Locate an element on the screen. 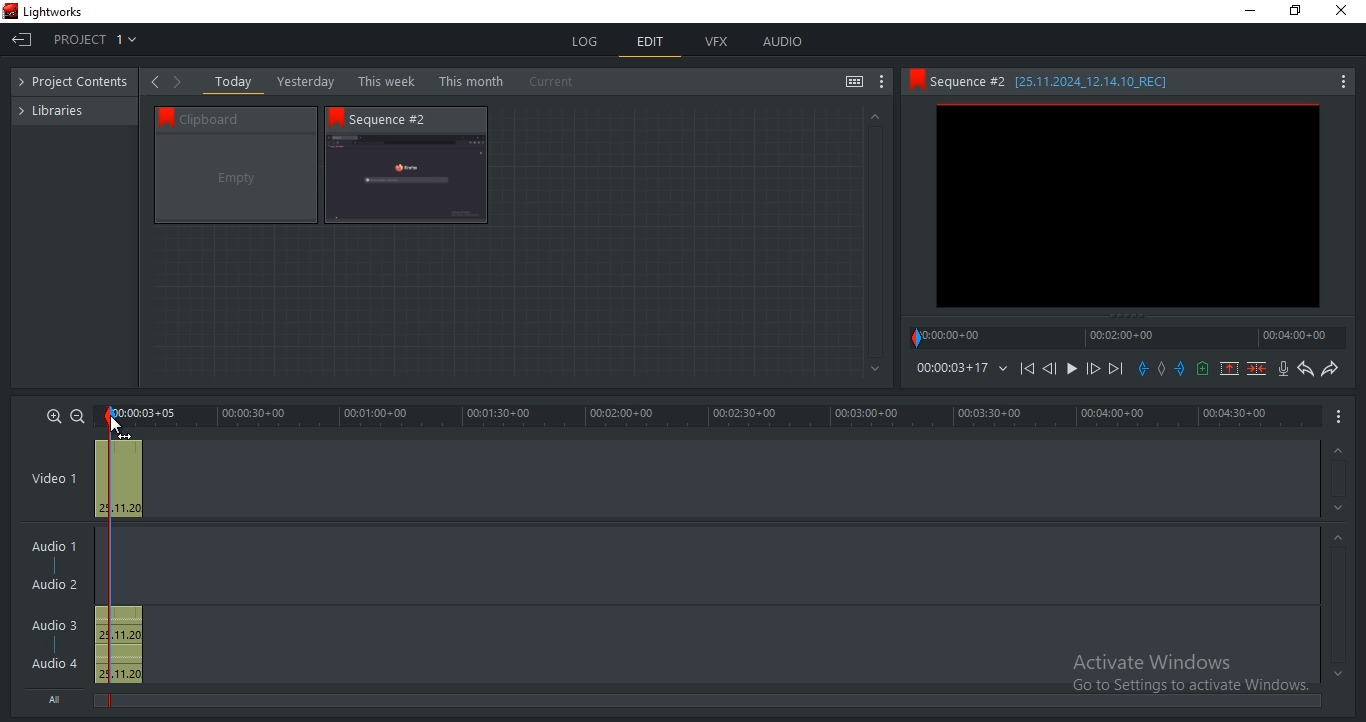 This screenshot has height=722, width=1366. delete marked section is located at coordinates (1258, 368).